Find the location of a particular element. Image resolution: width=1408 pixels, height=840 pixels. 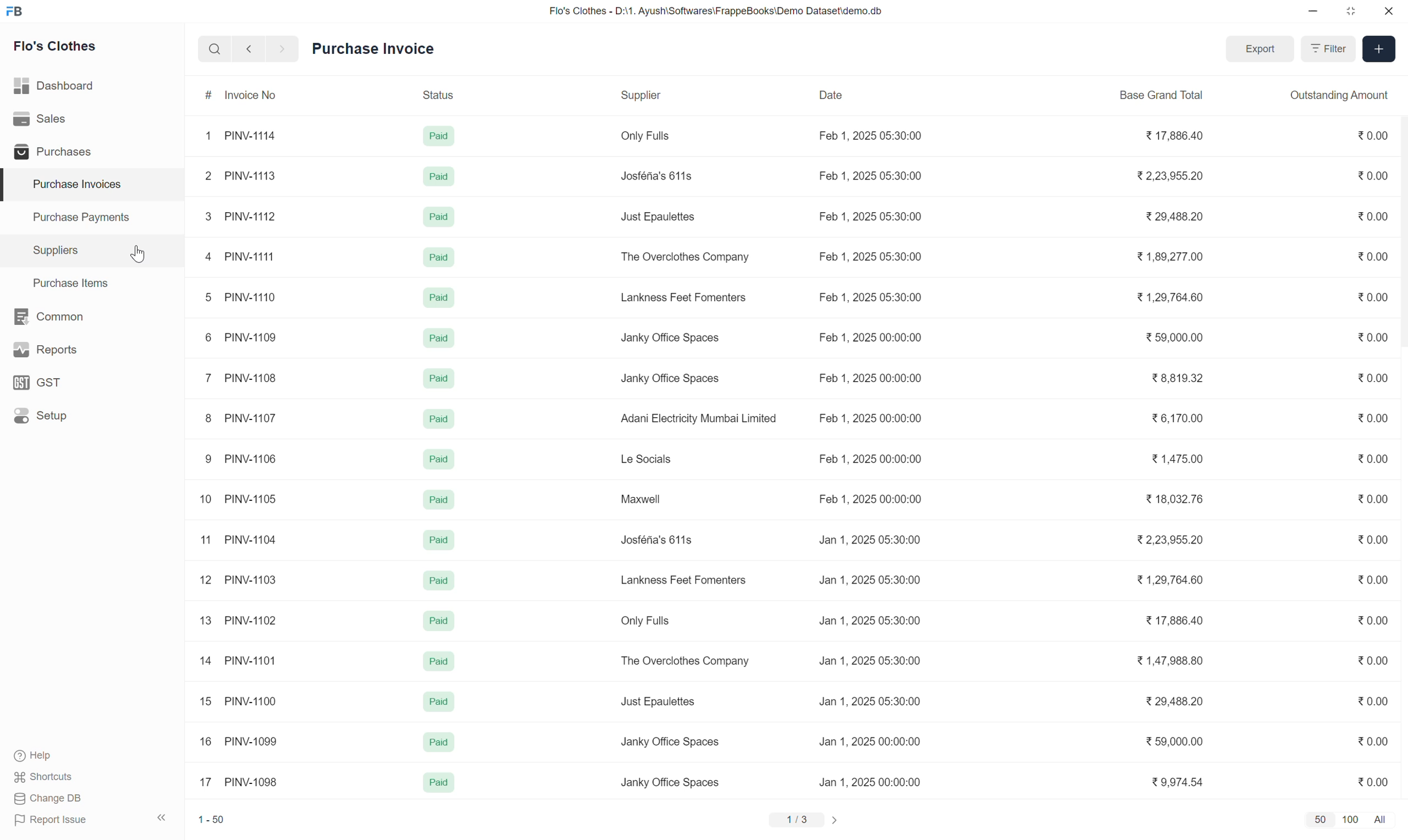

59,000.00 is located at coordinates (1175, 338).